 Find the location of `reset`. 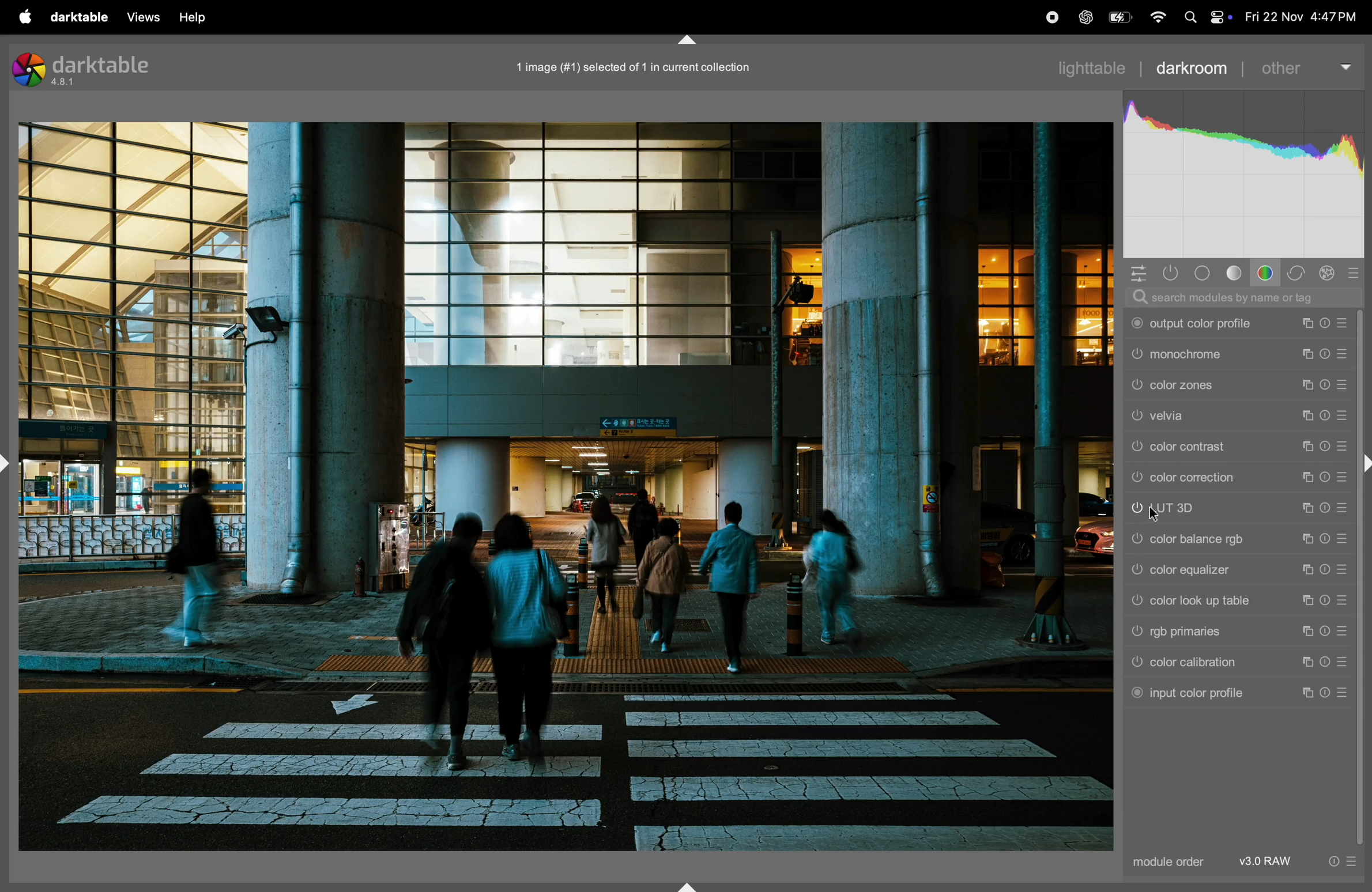

reset is located at coordinates (1325, 540).